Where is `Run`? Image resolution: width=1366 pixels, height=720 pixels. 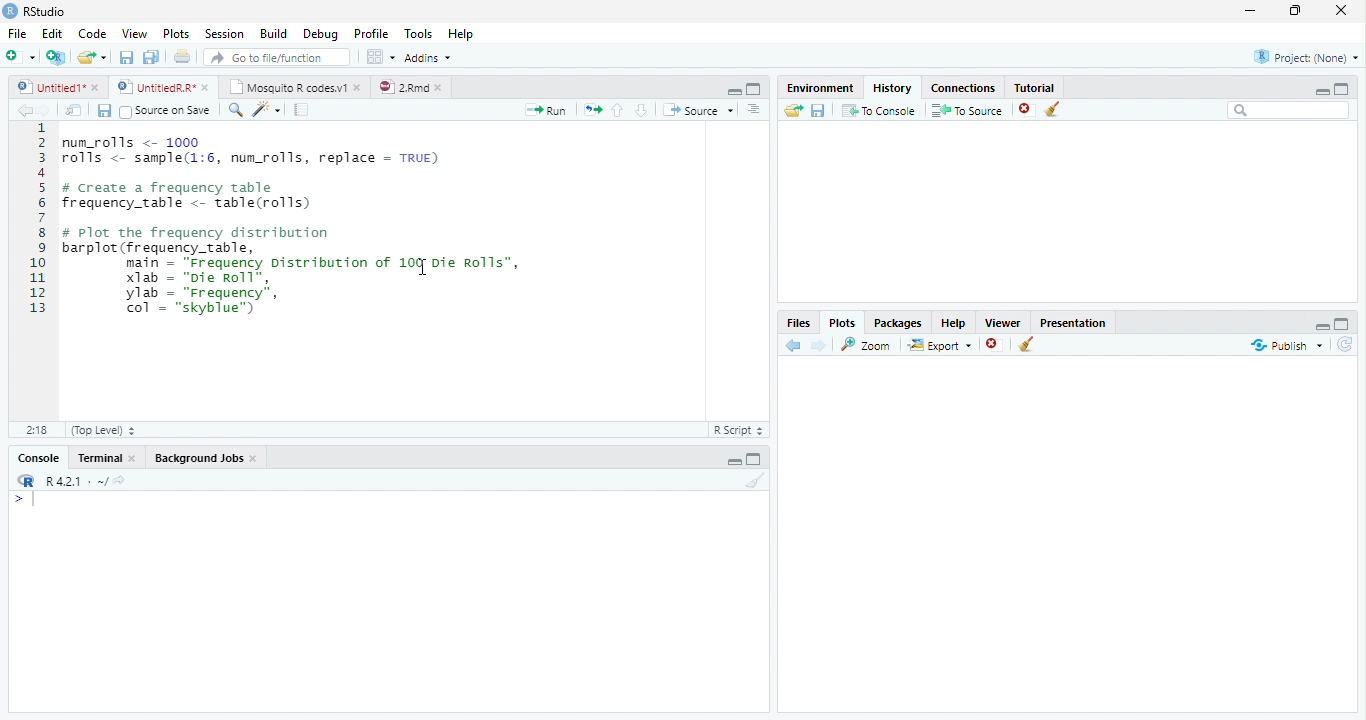
Run is located at coordinates (547, 110).